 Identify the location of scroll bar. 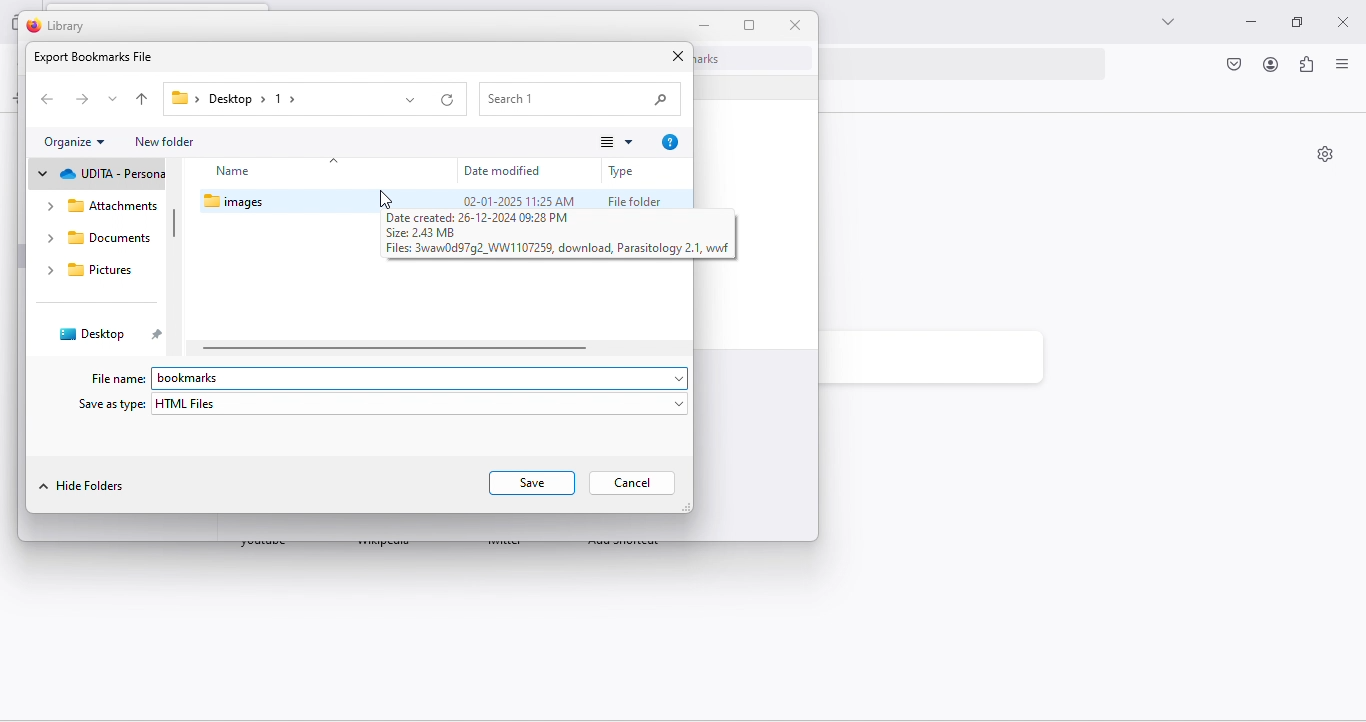
(396, 349).